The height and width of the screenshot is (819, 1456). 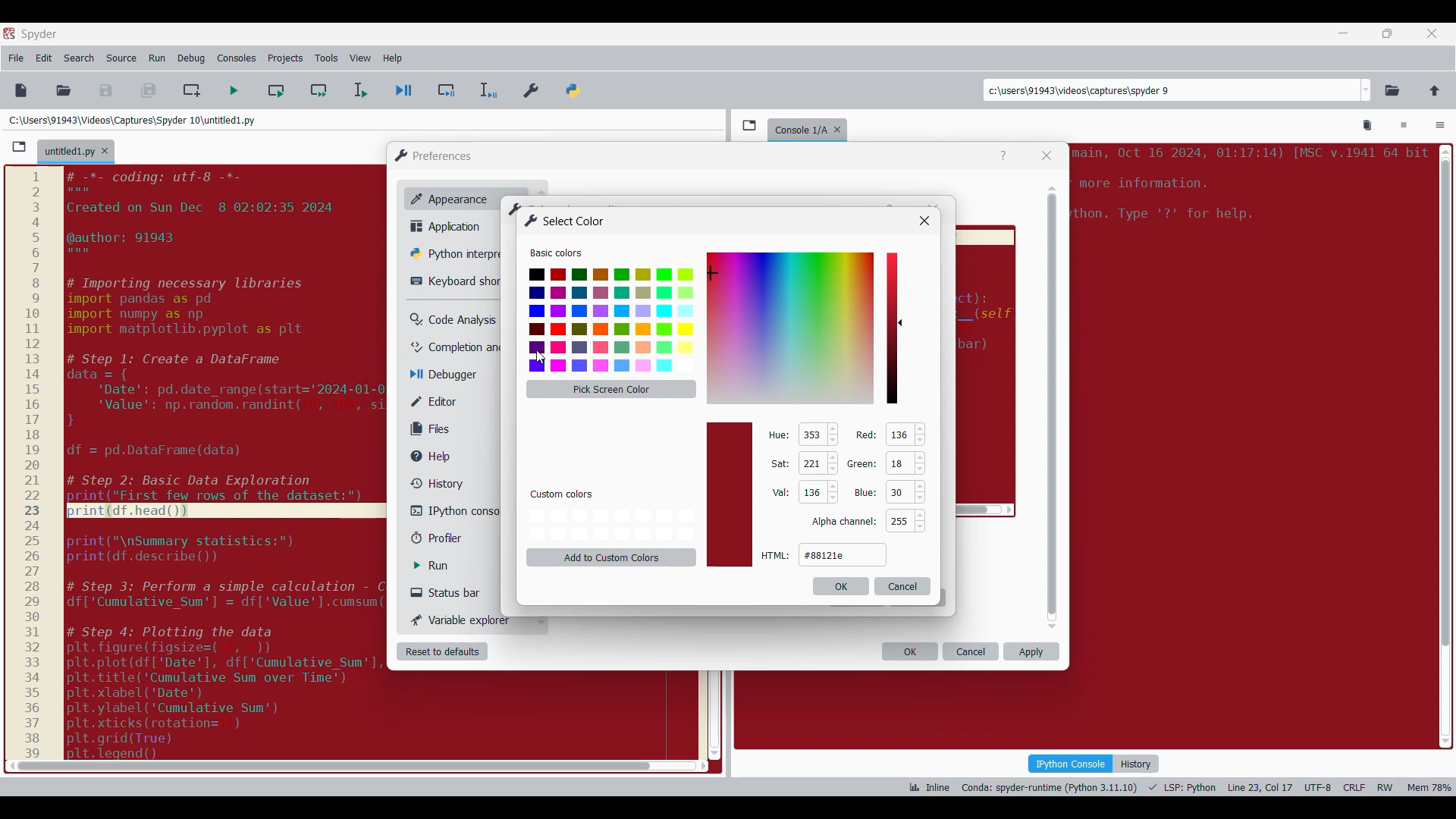 I want to click on Color gradient, so click(x=791, y=328).